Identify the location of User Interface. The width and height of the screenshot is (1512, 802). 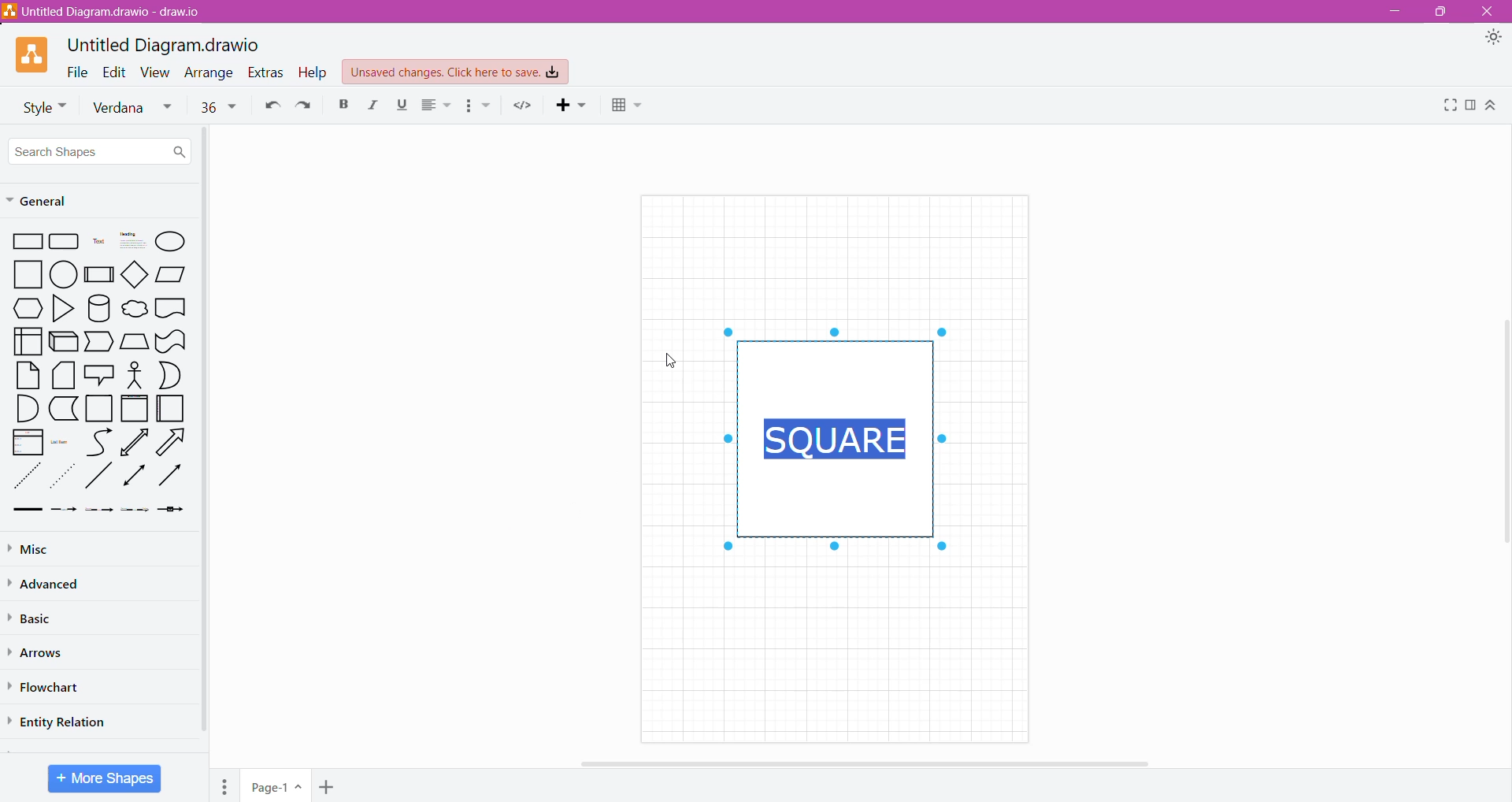
(27, 340).